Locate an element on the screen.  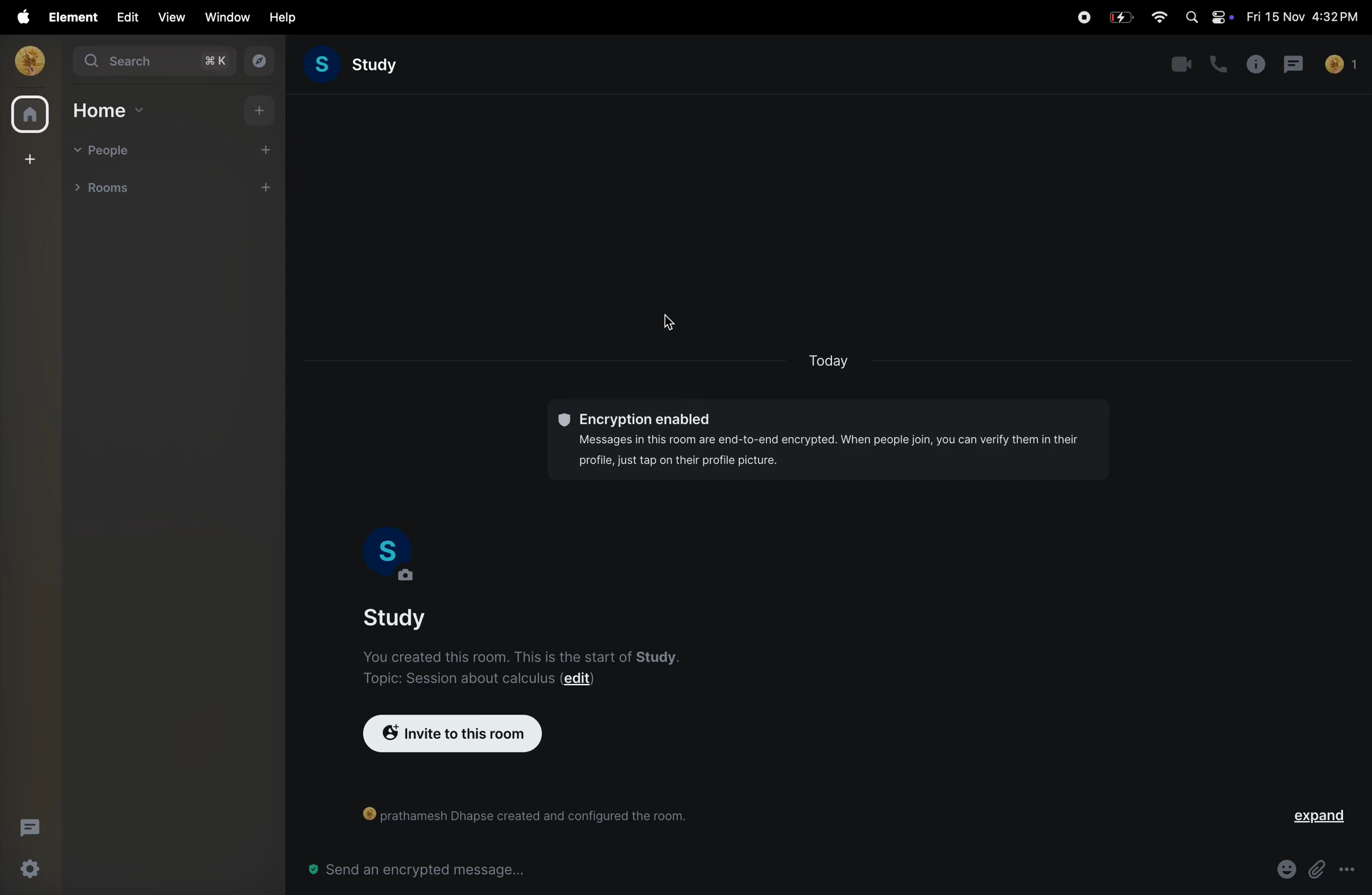
emoji is located at coordinates (1281, 868).